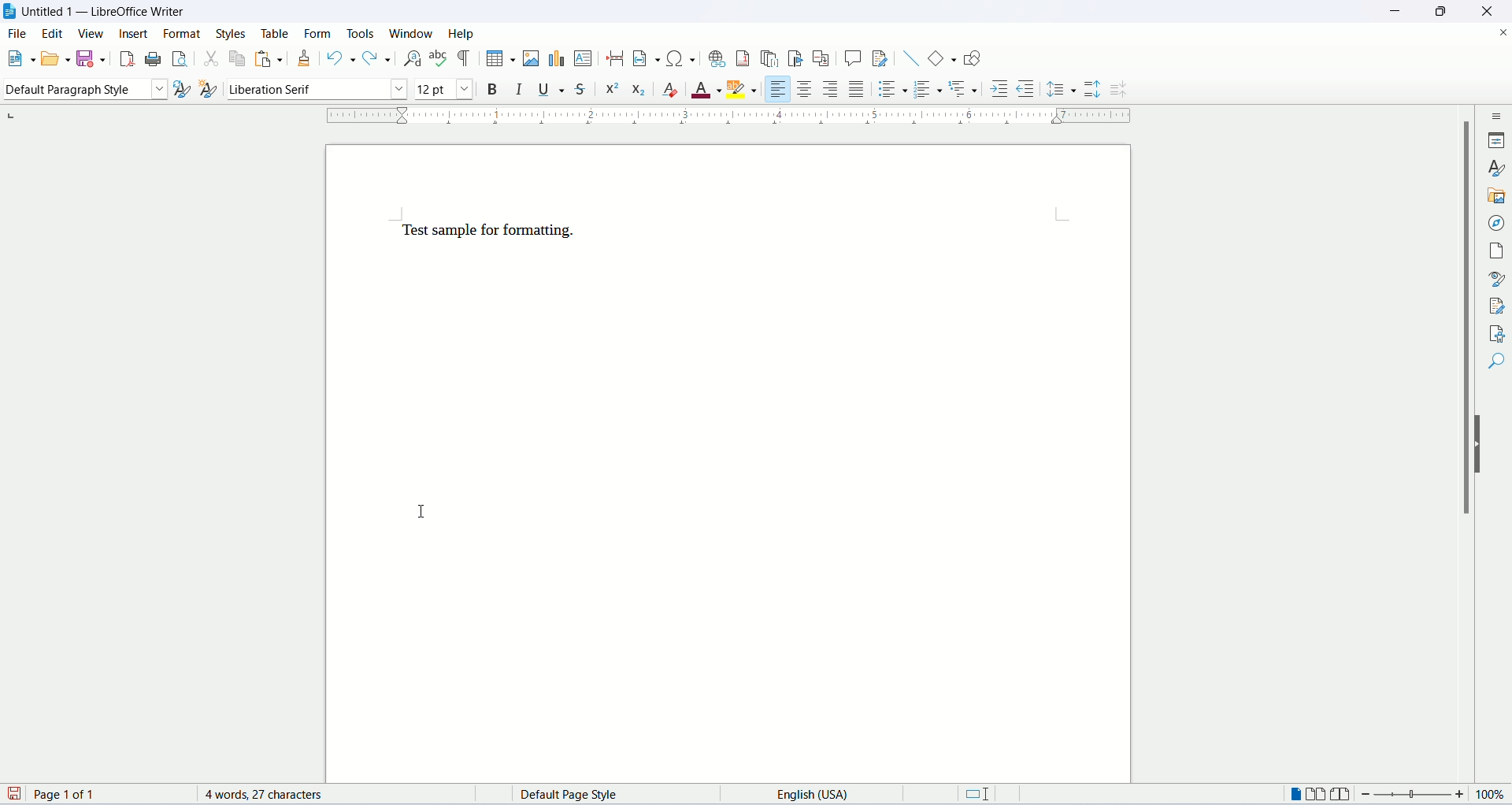 This screenshot has height=805, width=1512. What do you see at coordinates (984, 796) in the screenshot?
I see `standard selection` at bounding box center [984, 796].